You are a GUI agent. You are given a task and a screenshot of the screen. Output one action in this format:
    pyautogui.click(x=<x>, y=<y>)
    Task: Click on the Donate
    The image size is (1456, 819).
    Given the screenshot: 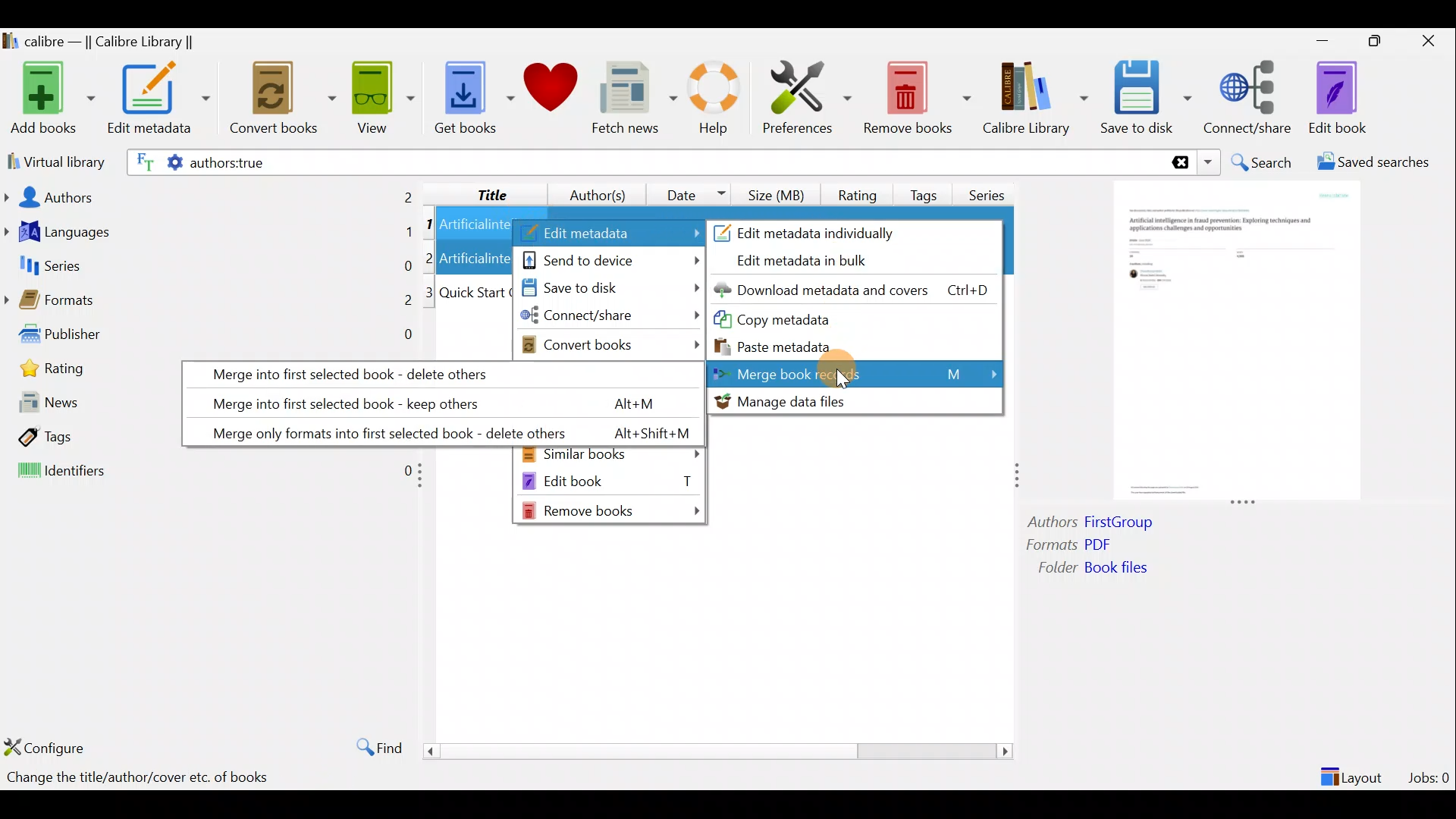 What is the action you would take?
    pyautogui.click(x=551, y=93)
    